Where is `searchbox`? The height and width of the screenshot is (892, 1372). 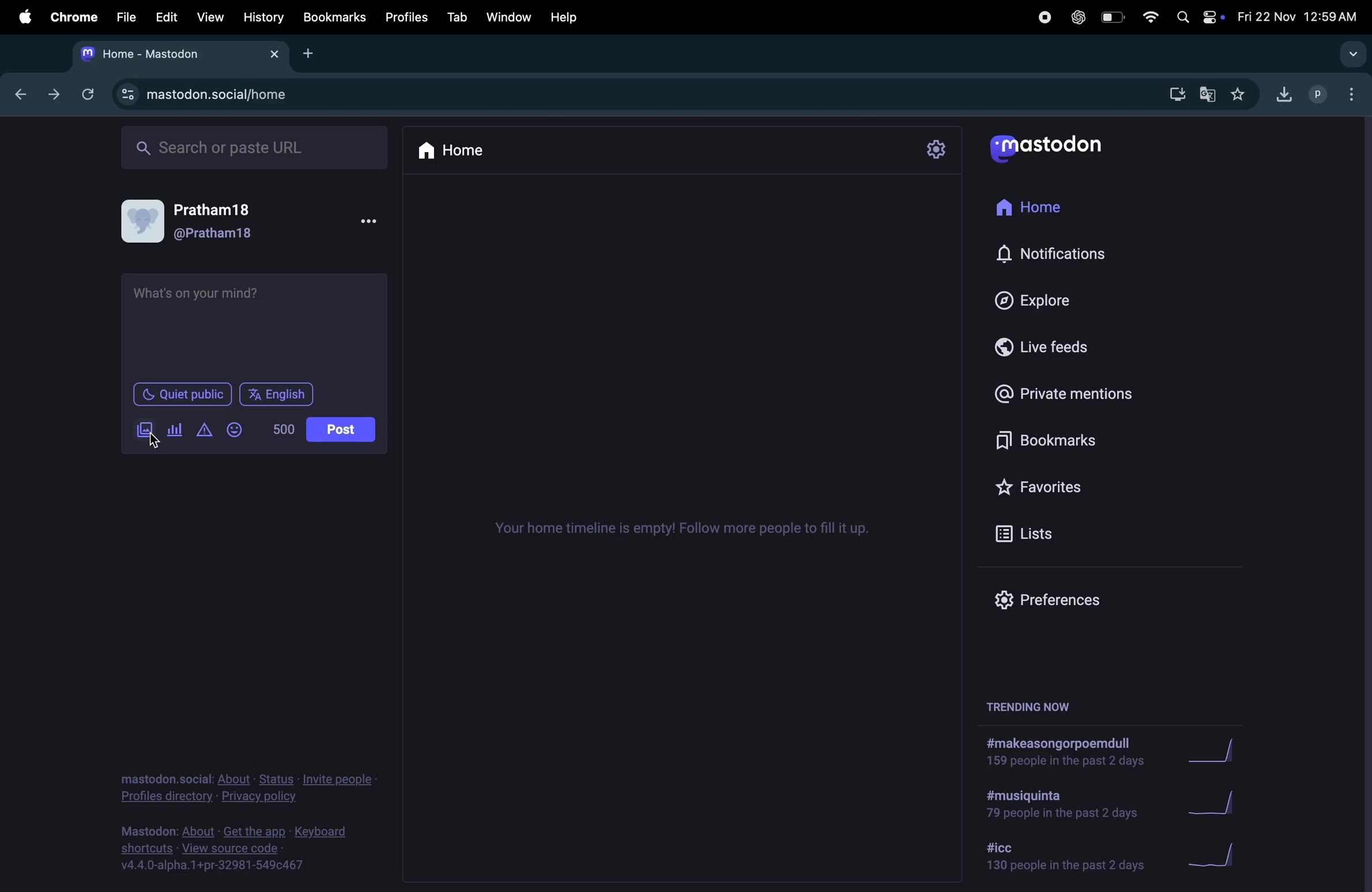
searchbox is located at coordinates (263, 149).